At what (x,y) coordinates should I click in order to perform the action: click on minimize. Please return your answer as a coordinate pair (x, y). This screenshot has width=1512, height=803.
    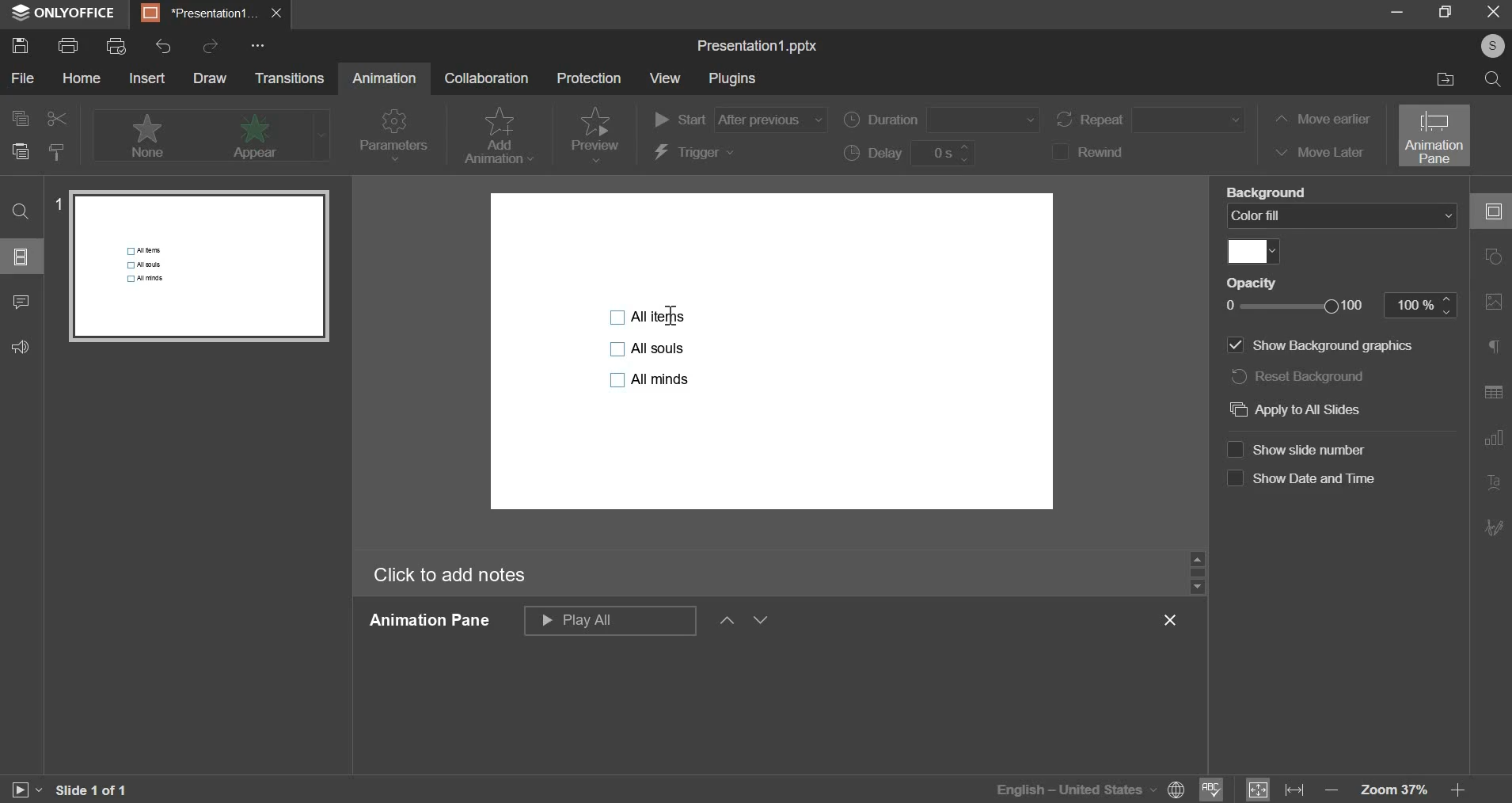
    Looking at the image, I should click on (1394, 16).